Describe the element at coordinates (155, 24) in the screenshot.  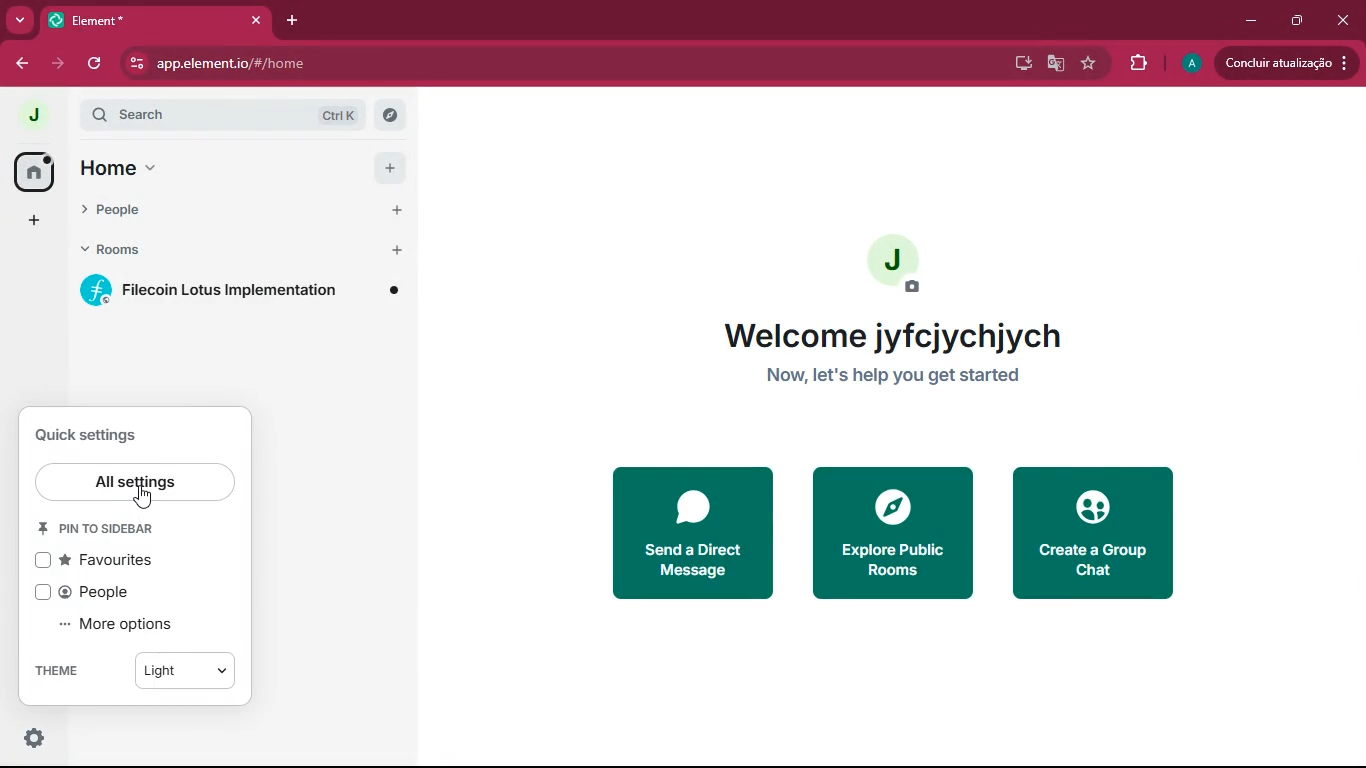
I see `*Element` at that location.